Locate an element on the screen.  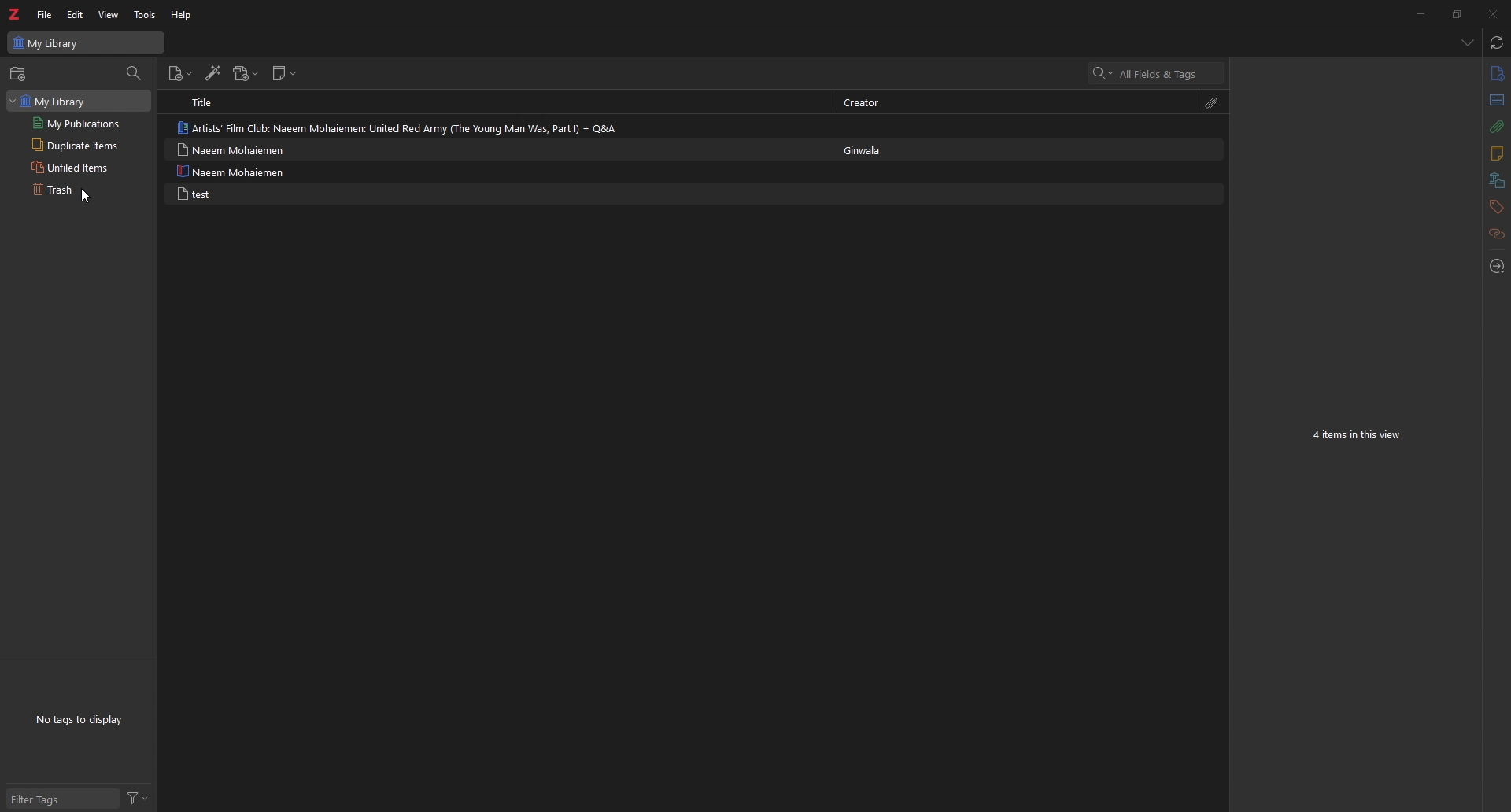
unfiled items is located at coordinates (76, 168).